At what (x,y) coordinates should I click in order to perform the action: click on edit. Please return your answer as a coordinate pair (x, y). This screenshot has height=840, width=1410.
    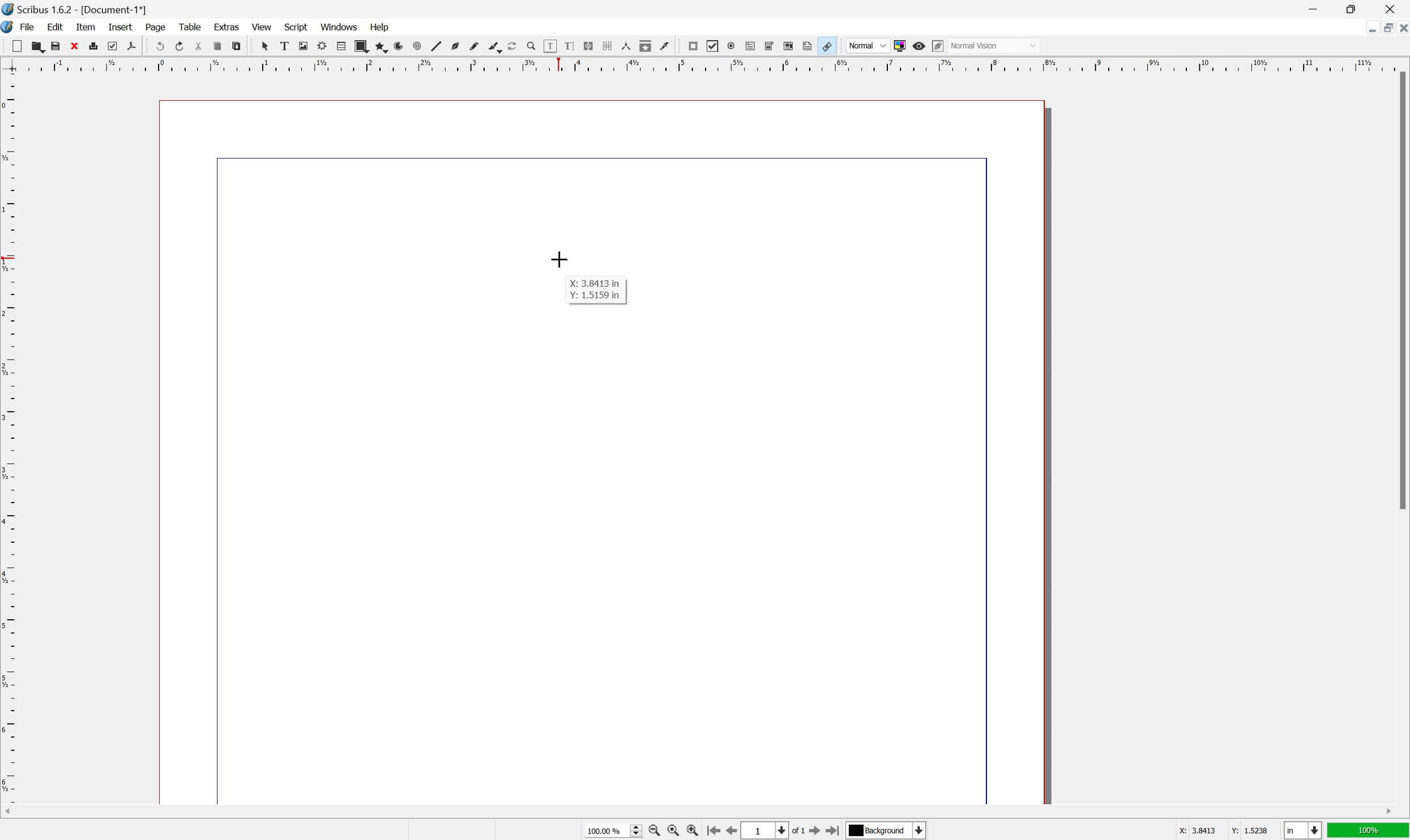
    Looking at the image, I should click on (55, 27).